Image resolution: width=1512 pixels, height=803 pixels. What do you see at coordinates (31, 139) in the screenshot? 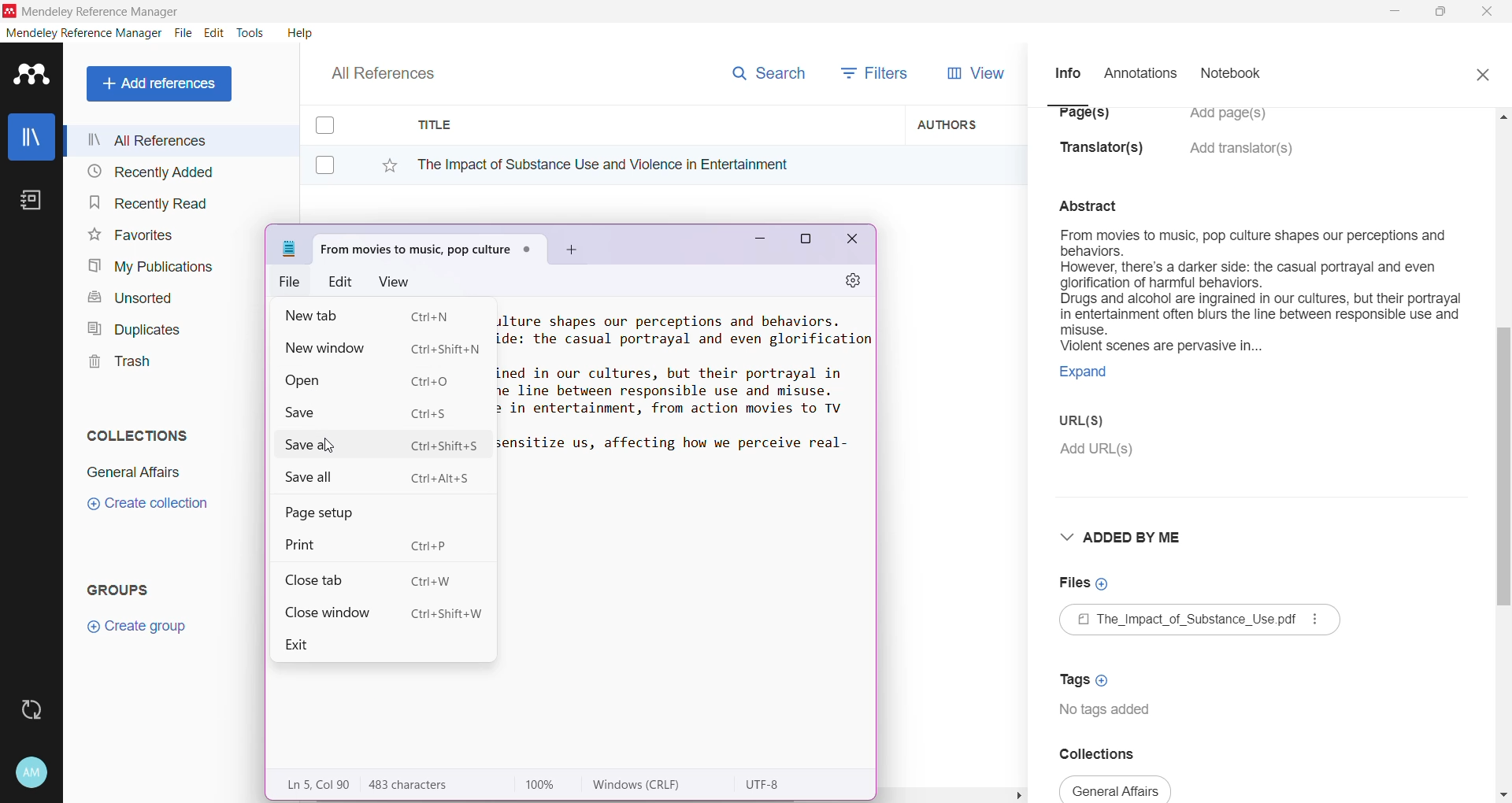
I see `Library` at bounding box center [31, 139].